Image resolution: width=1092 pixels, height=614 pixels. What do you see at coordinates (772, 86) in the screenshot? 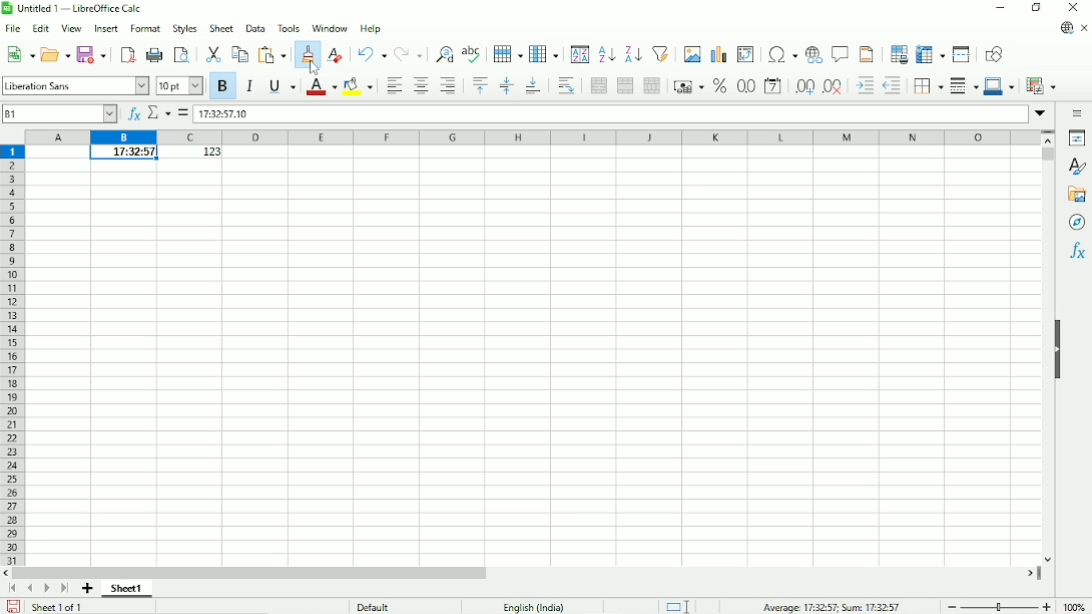
I see `Format as date` at bounding box center [772, 86].